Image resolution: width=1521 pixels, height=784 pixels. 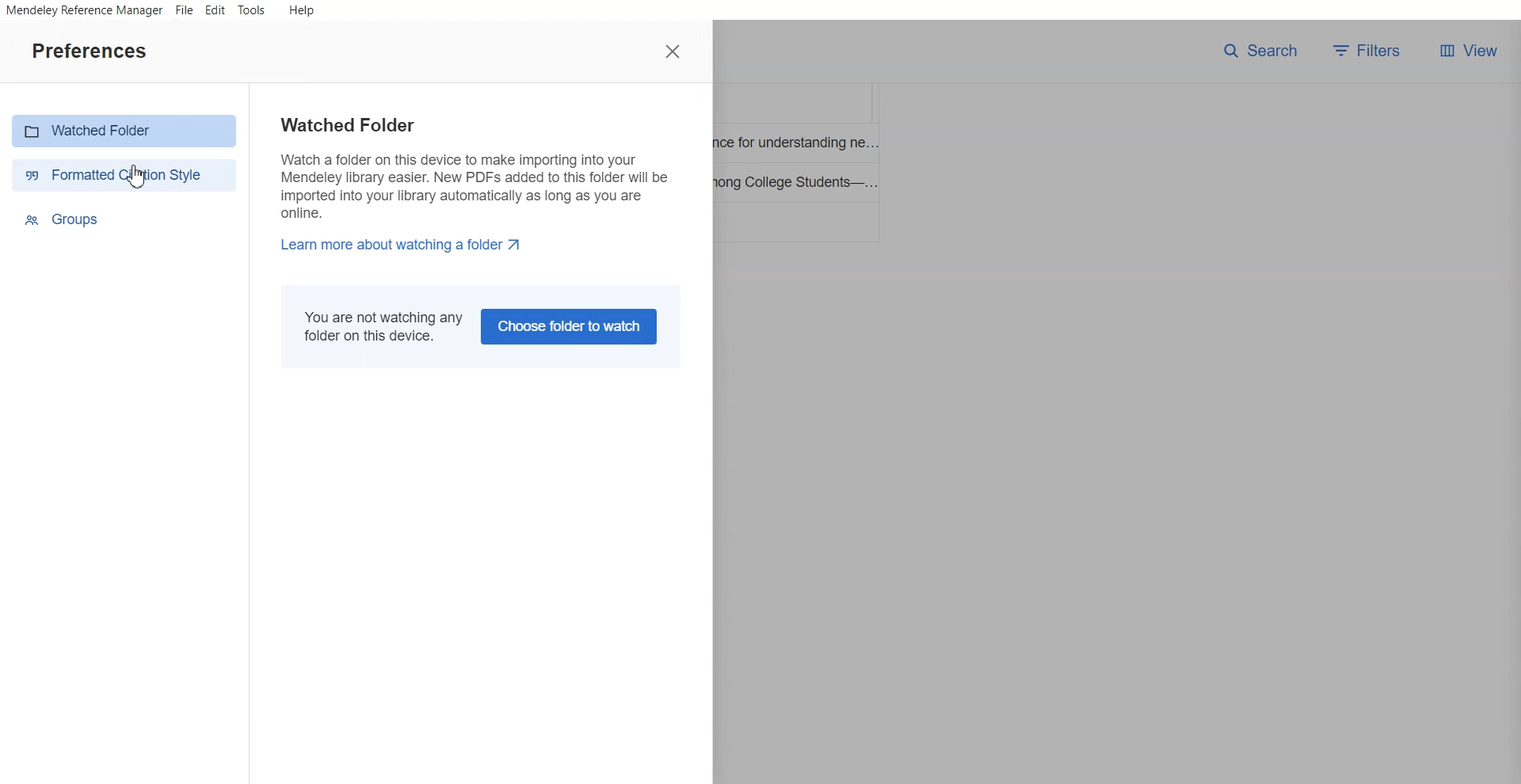 I want to click on Veiw, so click(x=1468, y=51).